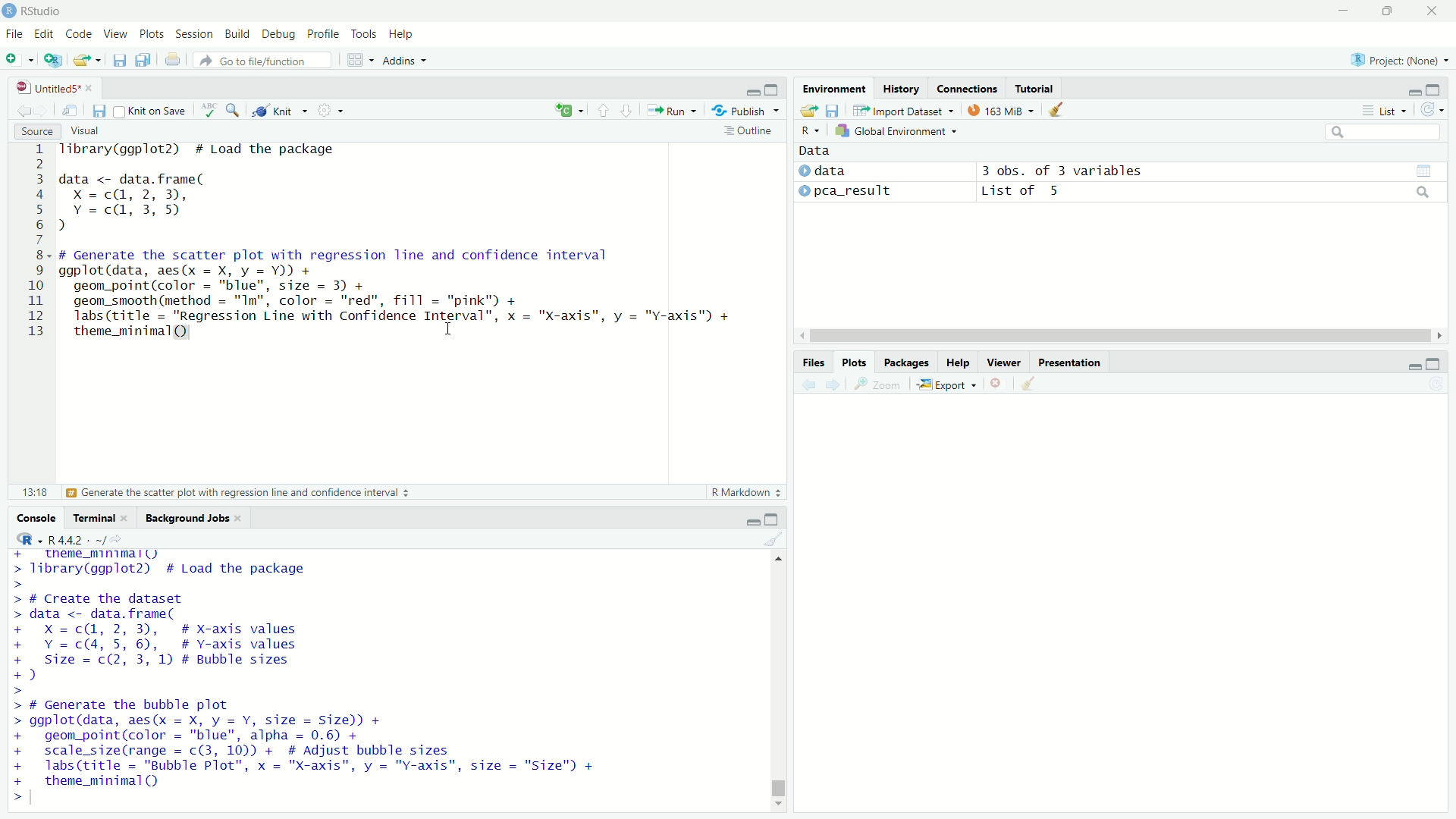 The height and width of the screenshot is (819, 1456). I want to click on data, so click(833, 171).